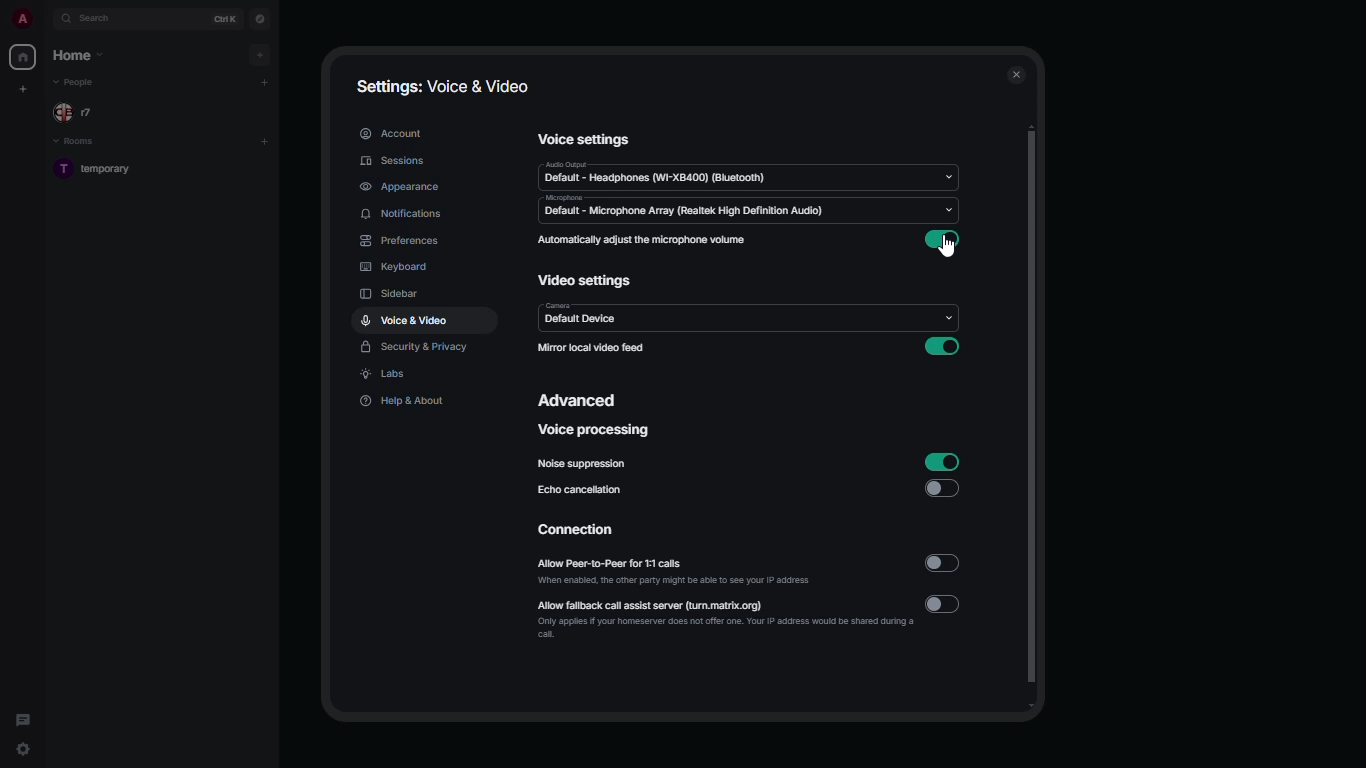 The height and width of the screenshot is (768, 1366). What do you see at coordinates (398, 162) in the screenshot?
I see `sessions` at bounding box center [398, 162].